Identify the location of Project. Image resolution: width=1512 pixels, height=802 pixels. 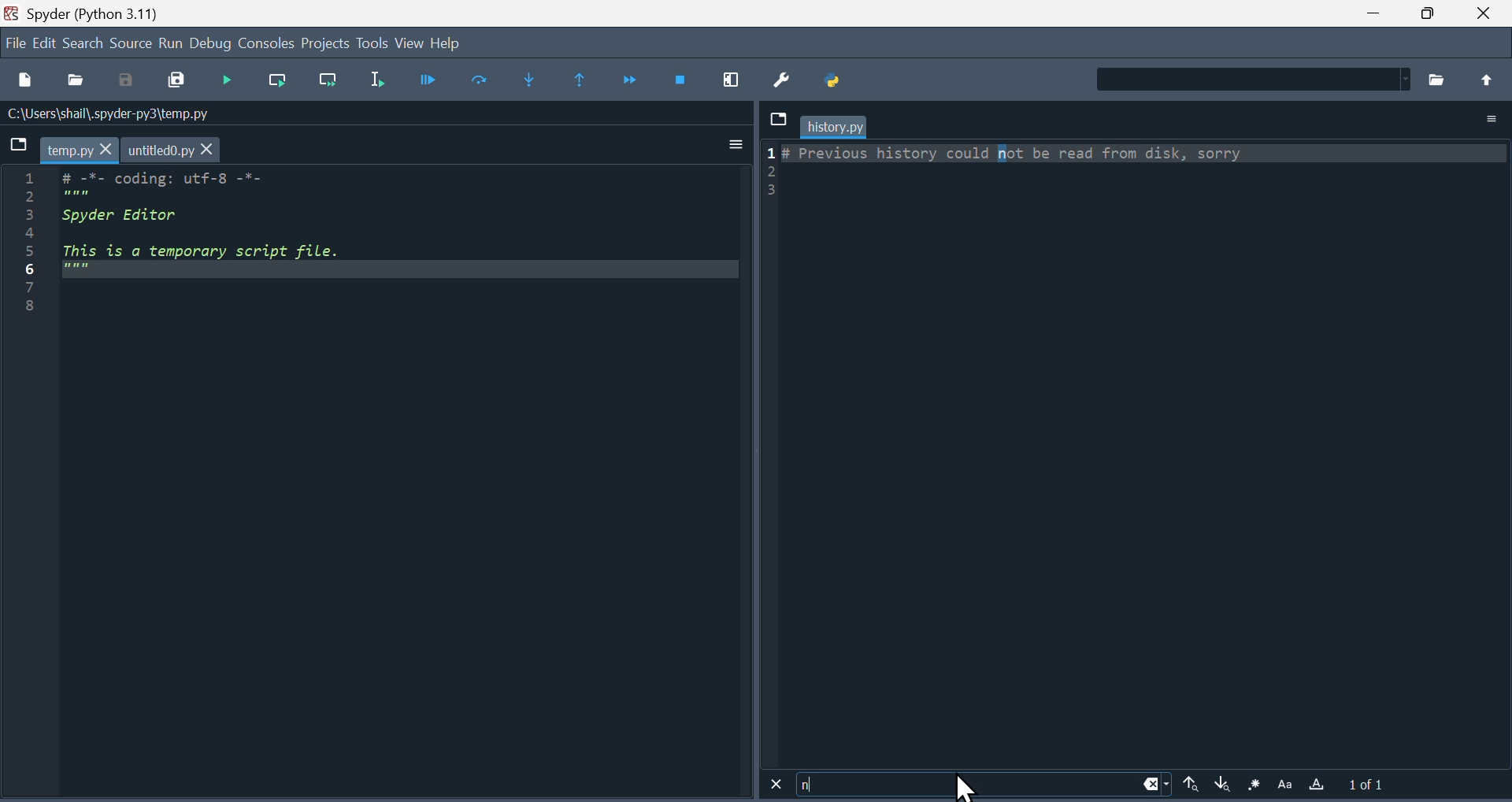
(326, 42).